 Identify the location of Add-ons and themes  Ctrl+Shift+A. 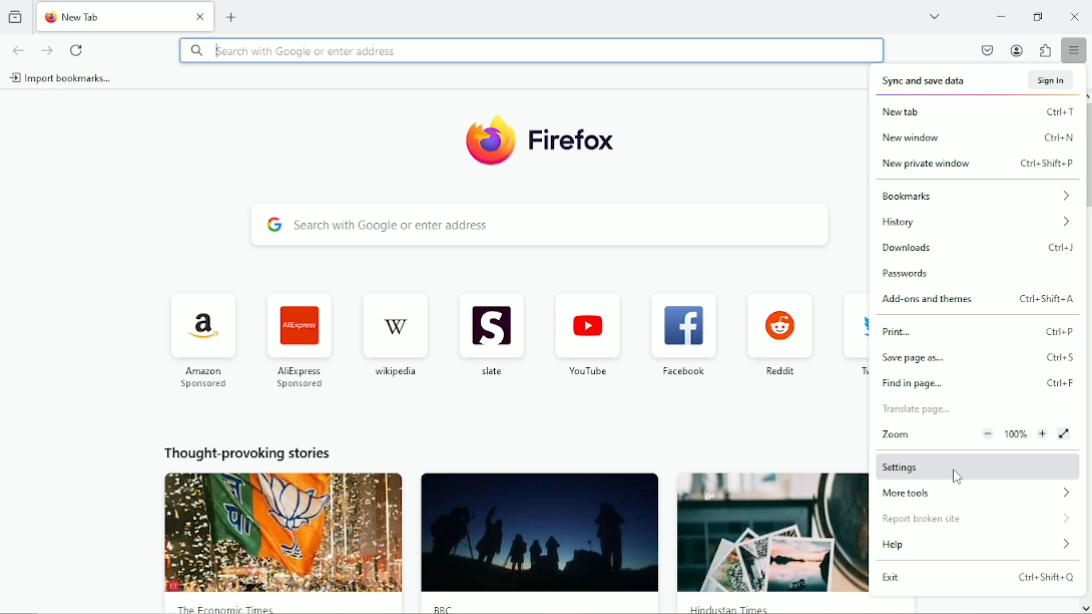
(977, 299).